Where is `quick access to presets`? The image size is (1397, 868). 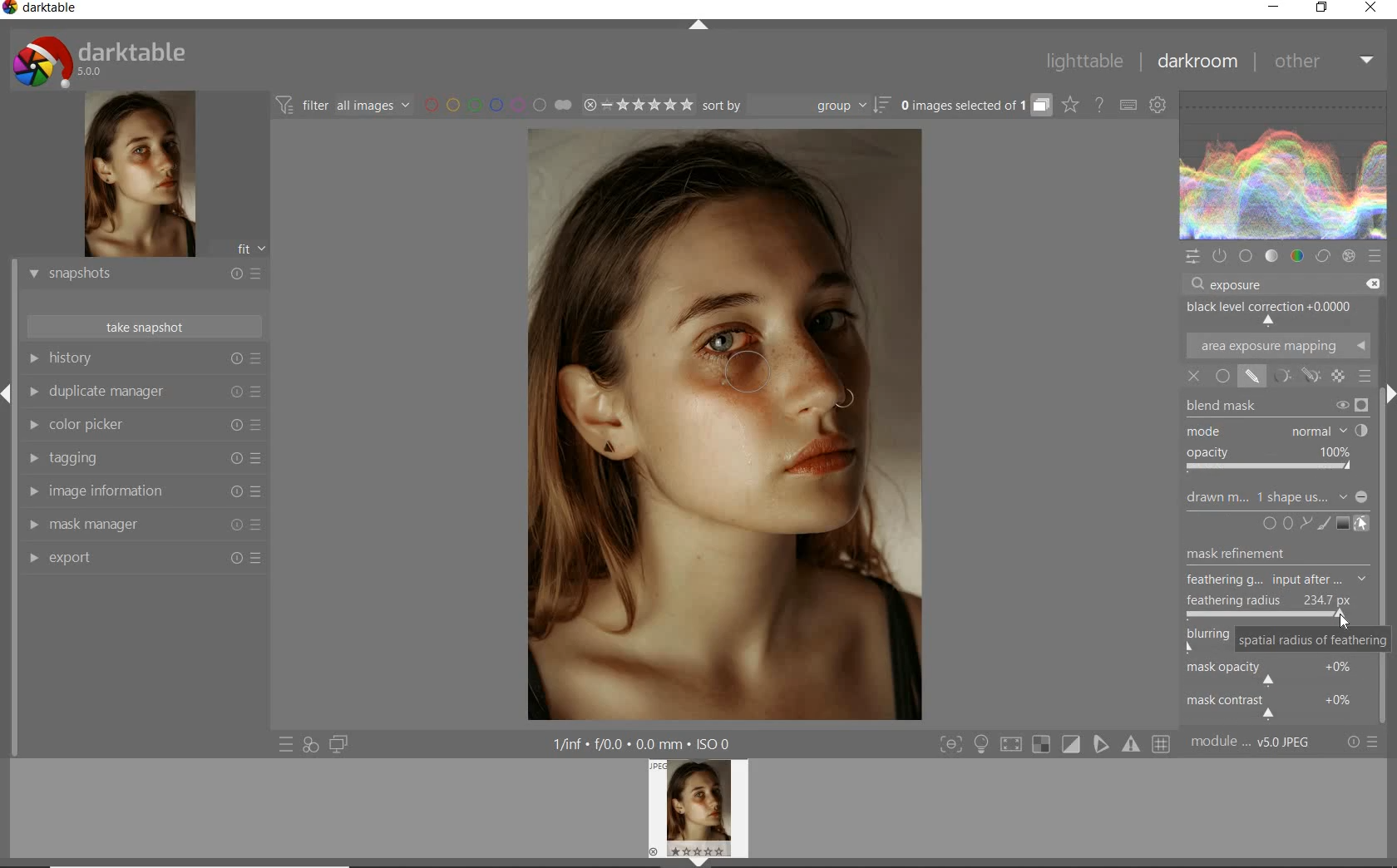 quick access to presets is located at coordinates (287, 744).